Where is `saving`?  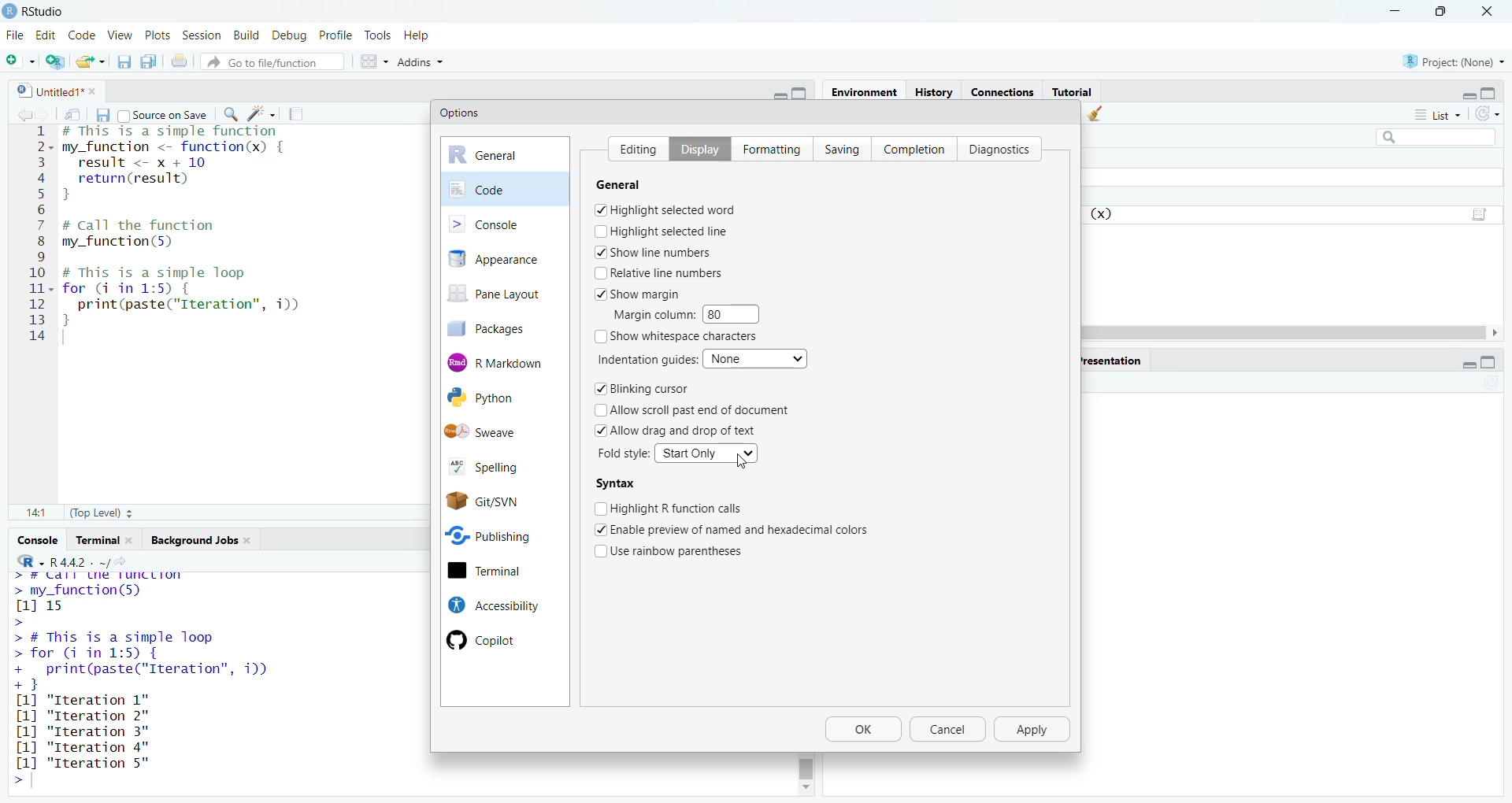 saving is located at coordinates (836, 148).